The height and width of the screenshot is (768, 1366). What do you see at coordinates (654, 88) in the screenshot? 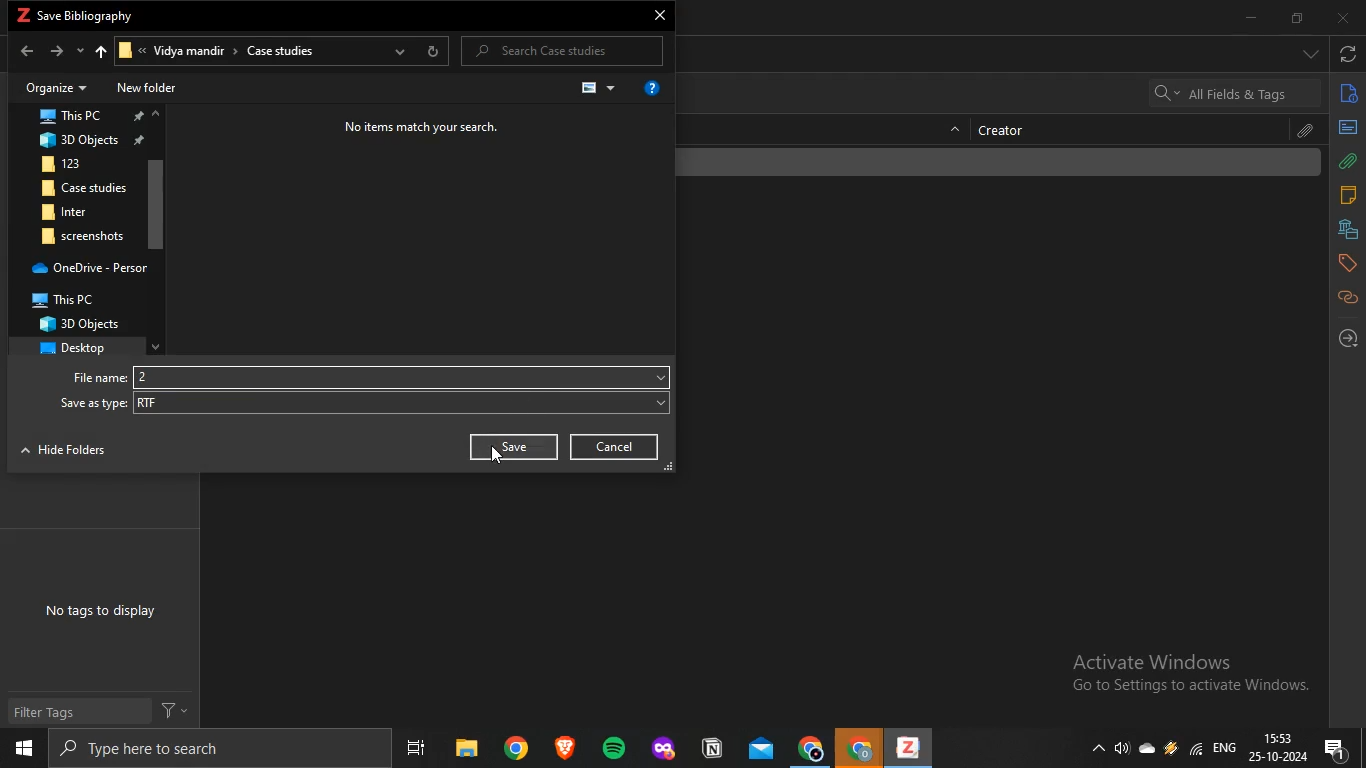
I see `get help` at bounding box center [654, 88].